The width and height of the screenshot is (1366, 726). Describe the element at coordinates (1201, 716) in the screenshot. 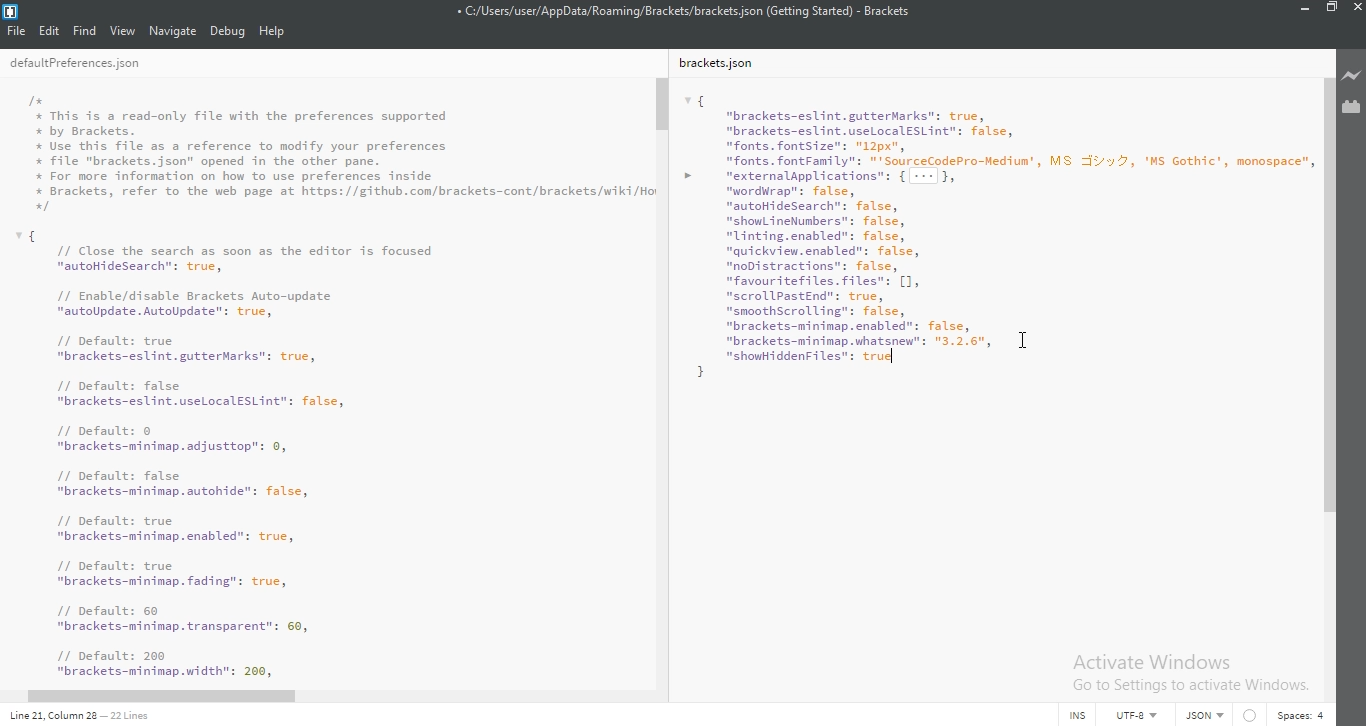

I see `JSON` at that location.